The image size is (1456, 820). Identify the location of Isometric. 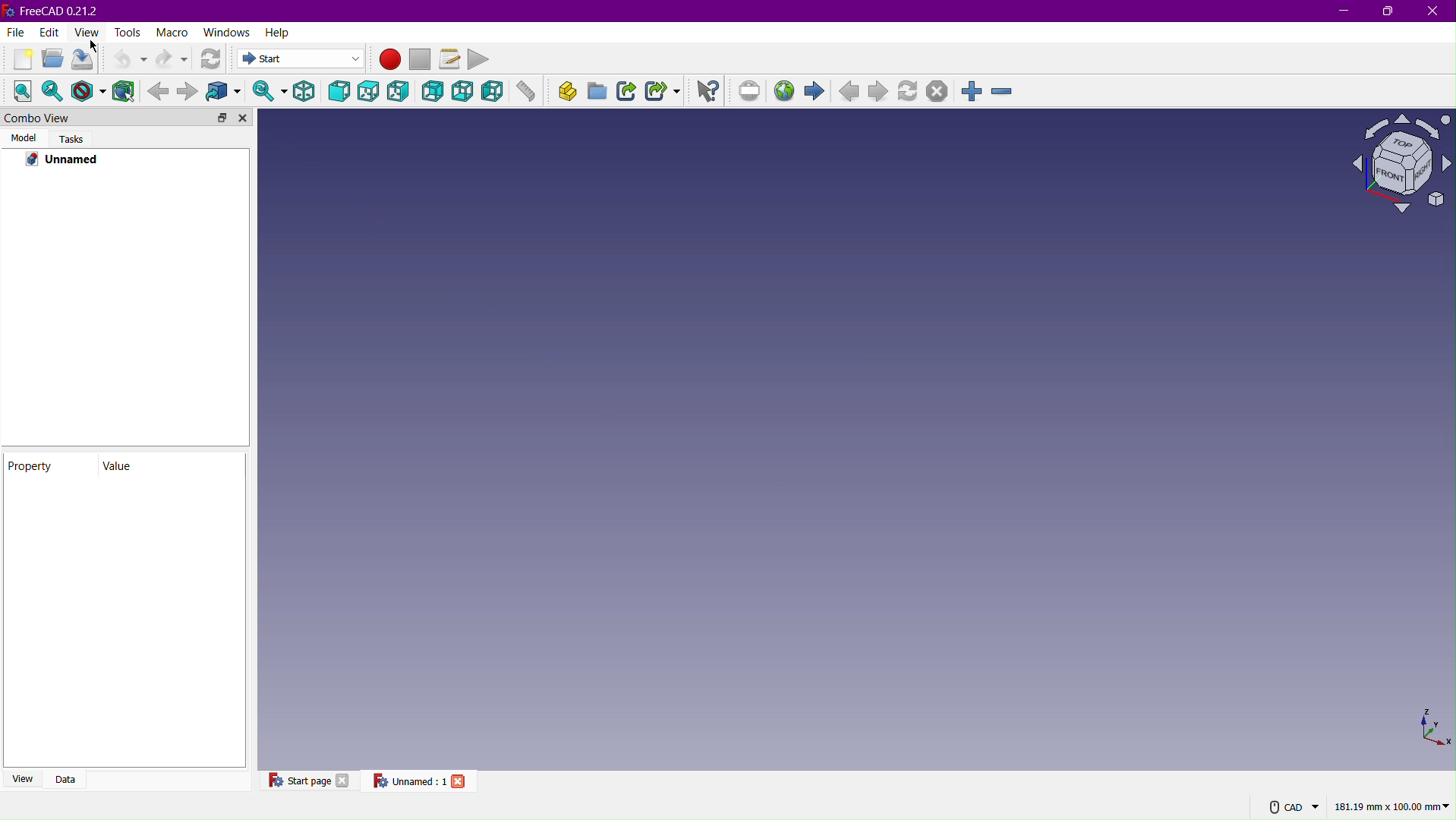
(305, 91).